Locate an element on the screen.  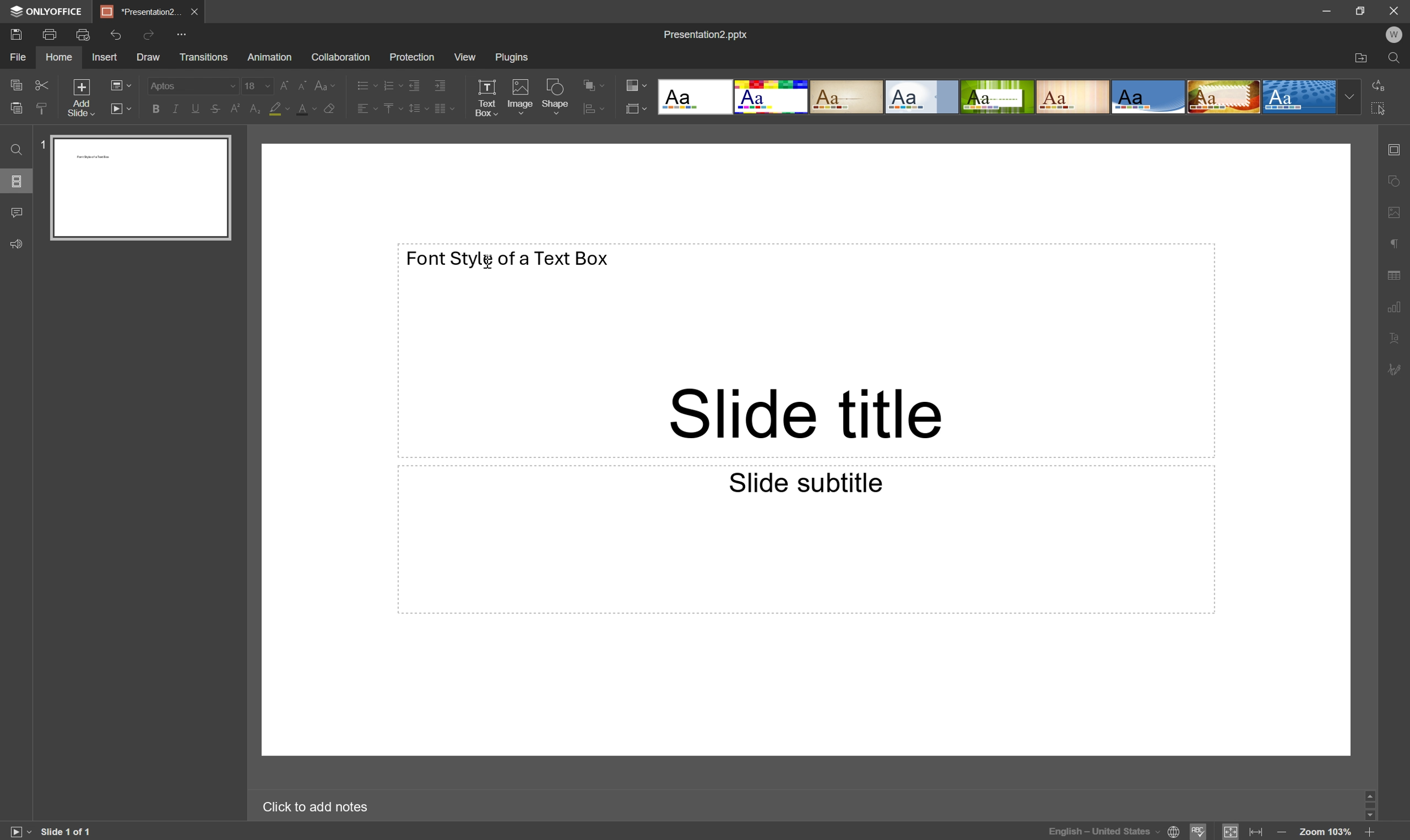
font size is located at coordinates (258, 85).